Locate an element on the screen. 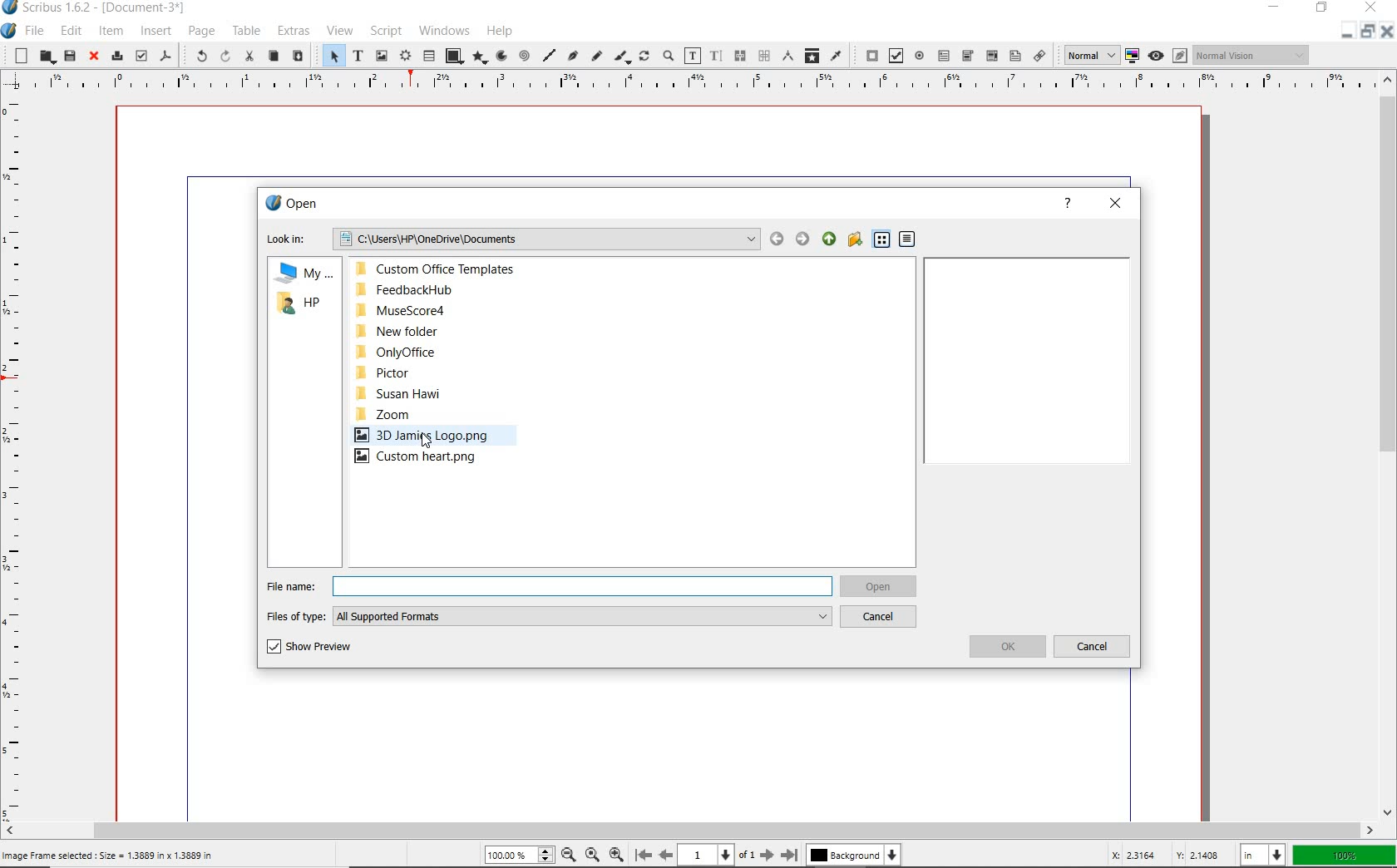 Image resolution: width=1397 pixels, height=868 pixels. LINE/DETAIL VIEW is located at coordinates (894, 239).